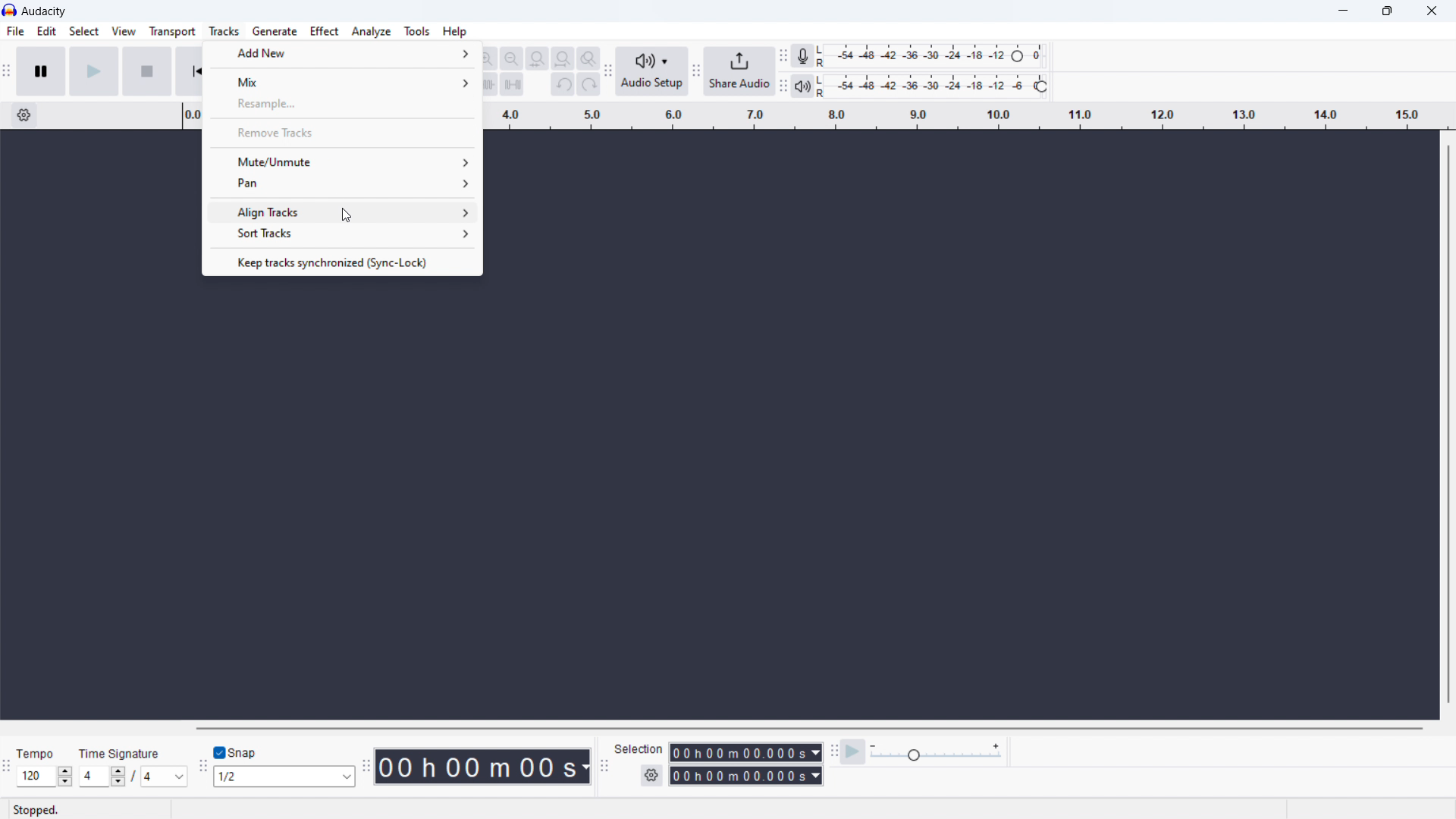 Image resolution: width=1456 pixels, height=819 pixels. What do you see at coordinates (146, 71) in the screenshot?
I see `stop` at bounding box center [146, 71].